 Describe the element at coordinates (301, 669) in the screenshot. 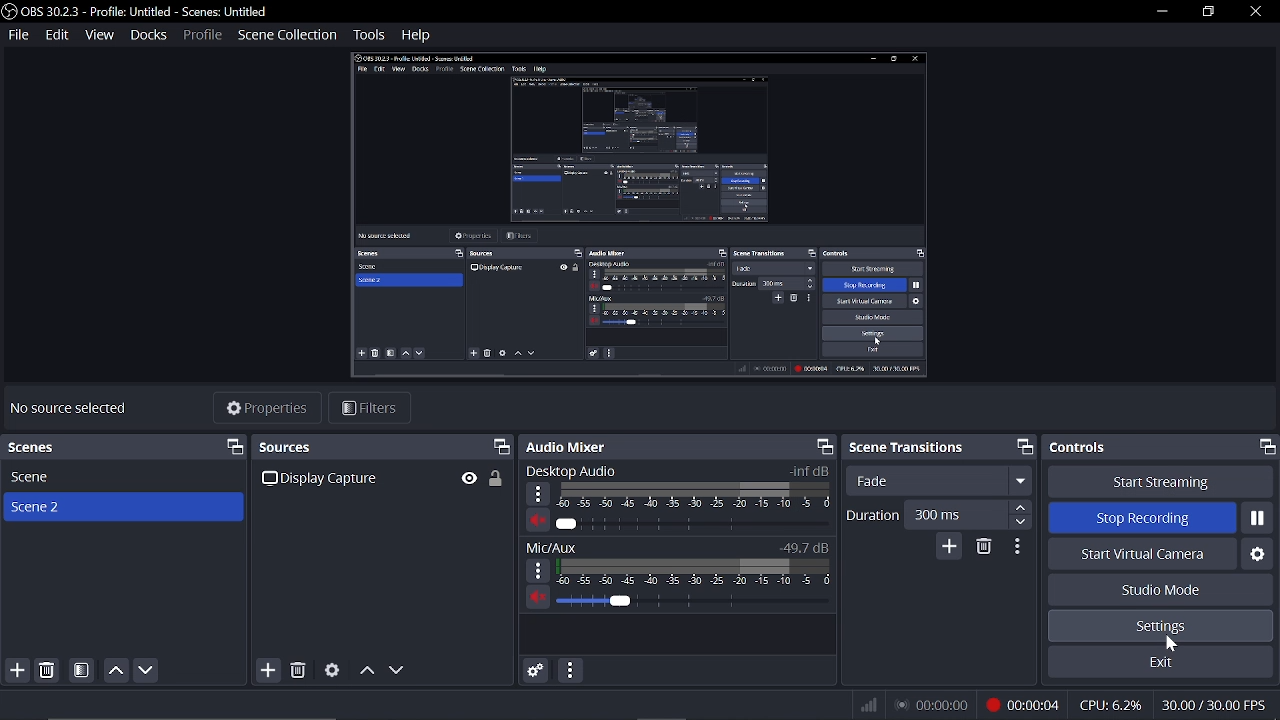

I see `delete source` at that location.